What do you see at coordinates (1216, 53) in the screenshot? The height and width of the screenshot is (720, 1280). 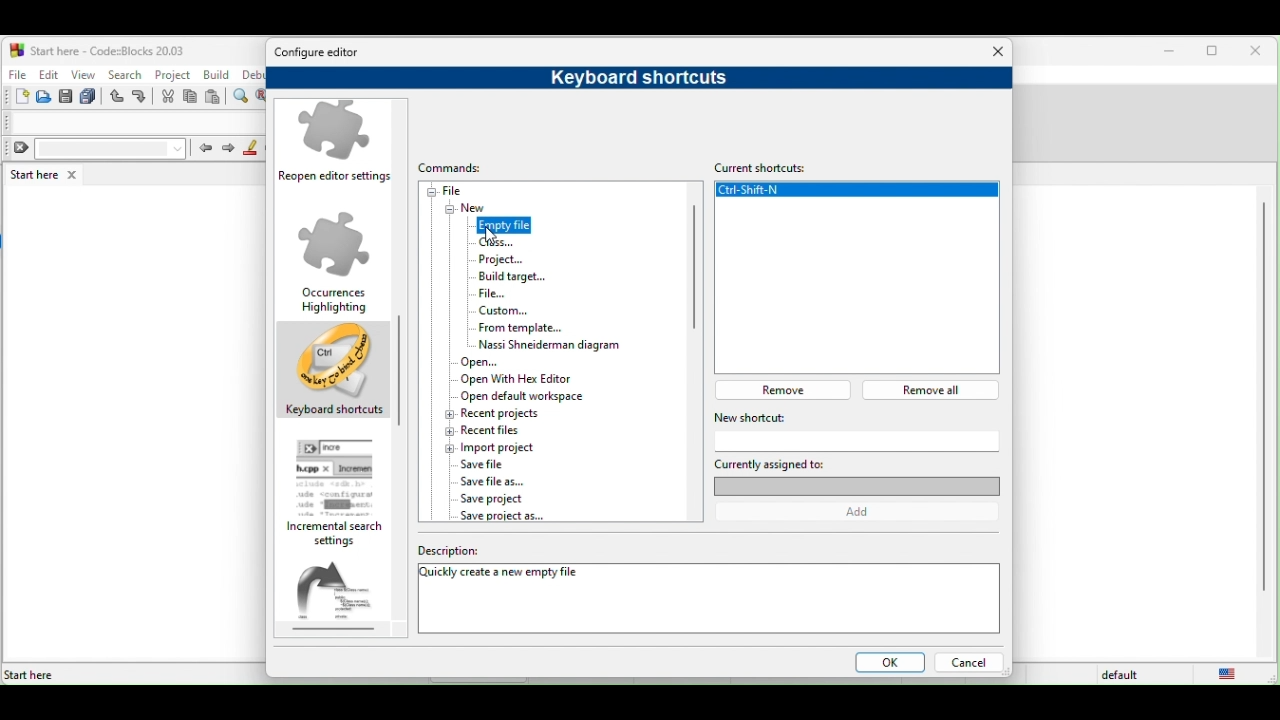 I see `maximize` at bounding box center [1216, 53].